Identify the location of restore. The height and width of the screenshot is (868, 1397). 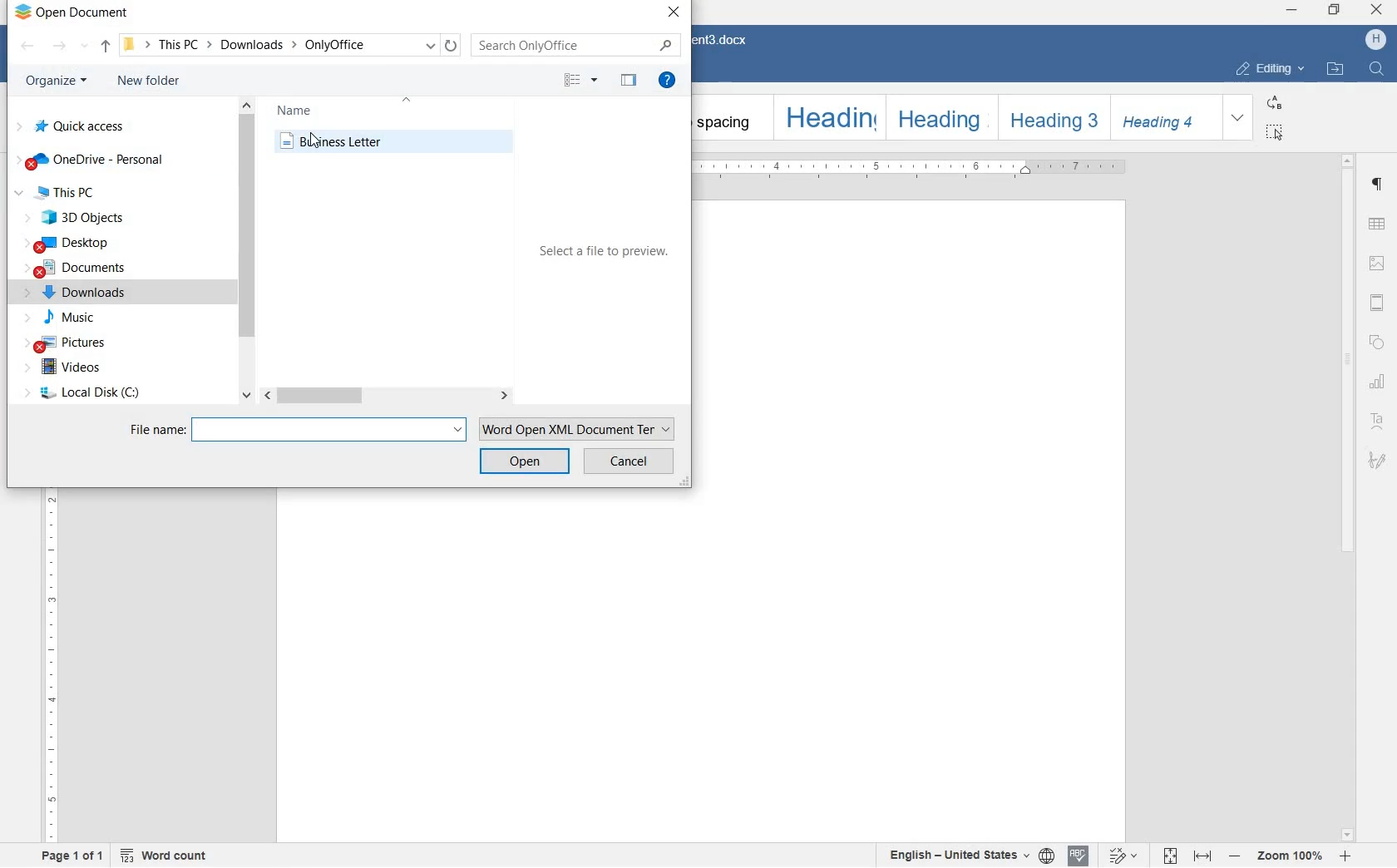
(1335, 12).